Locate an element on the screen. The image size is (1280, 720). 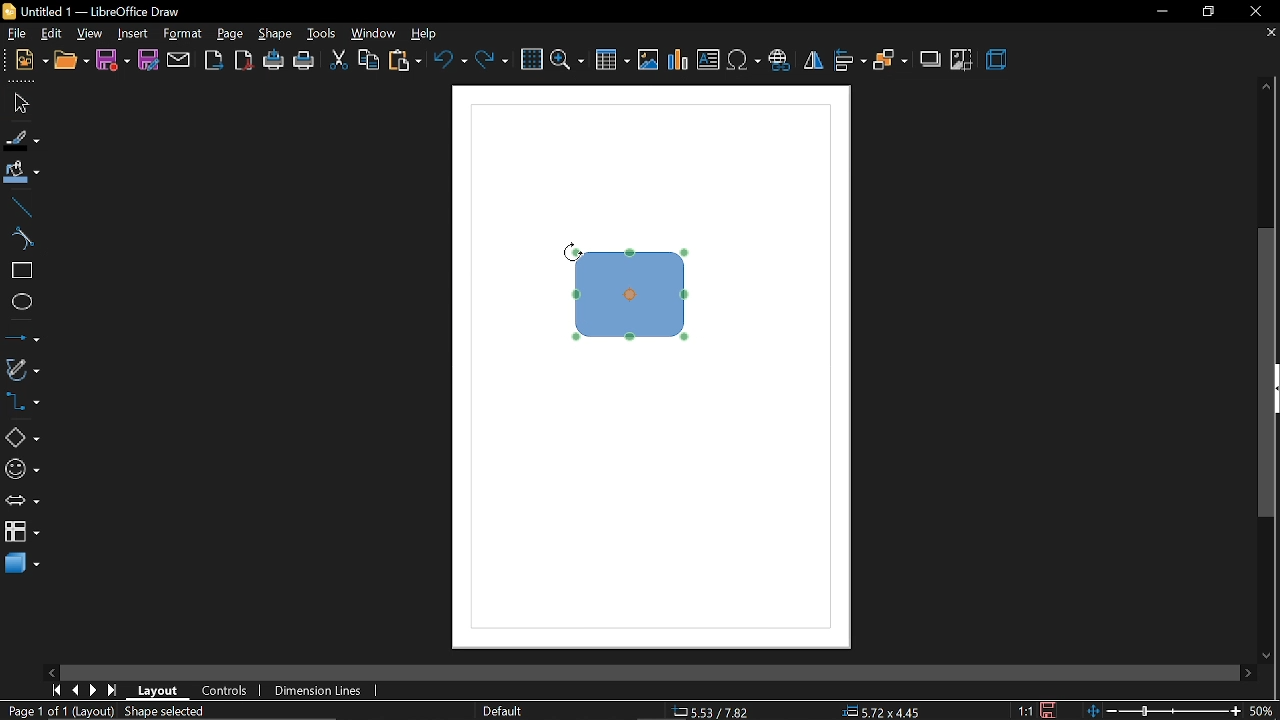
print is located at coordinates (305, 61).